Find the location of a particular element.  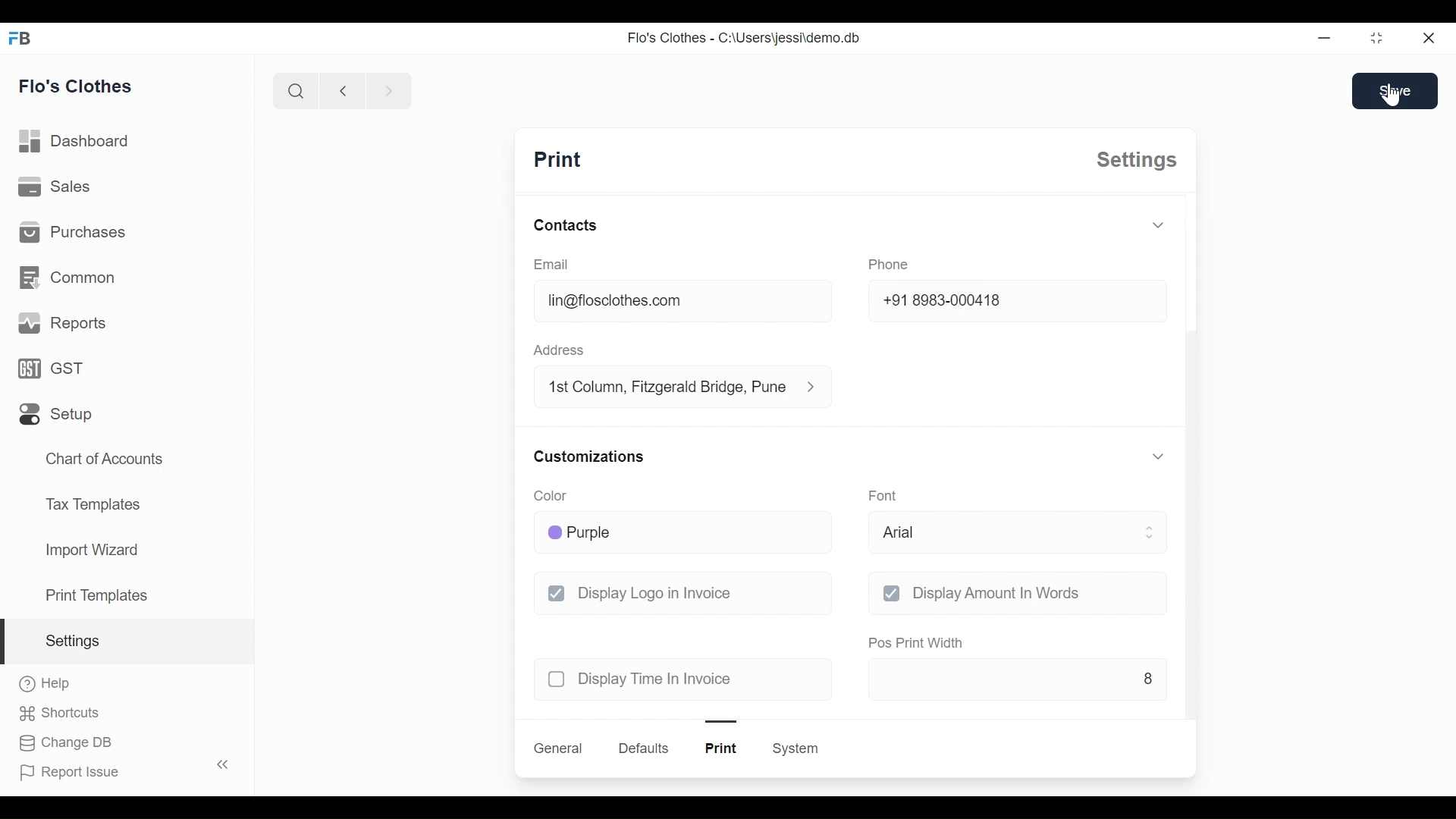

help is located at coordinates (45, 683).